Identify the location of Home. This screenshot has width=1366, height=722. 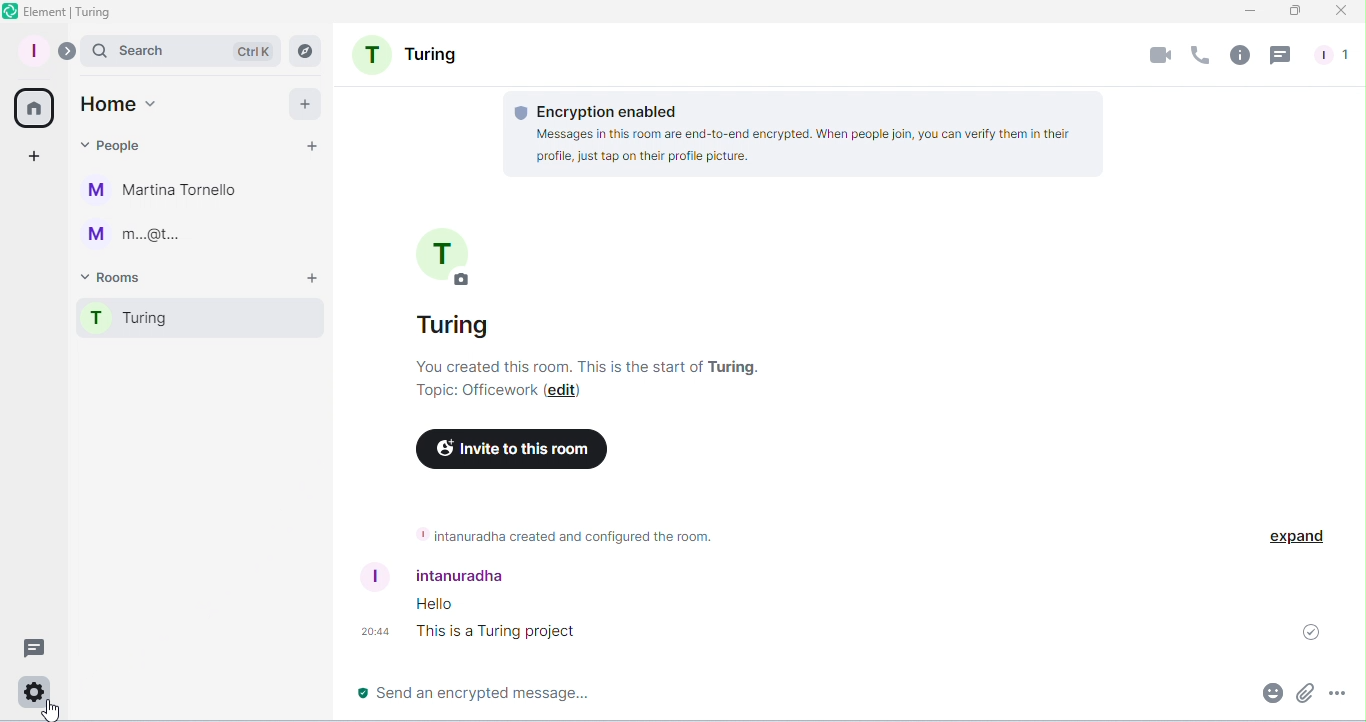
(31, 107).